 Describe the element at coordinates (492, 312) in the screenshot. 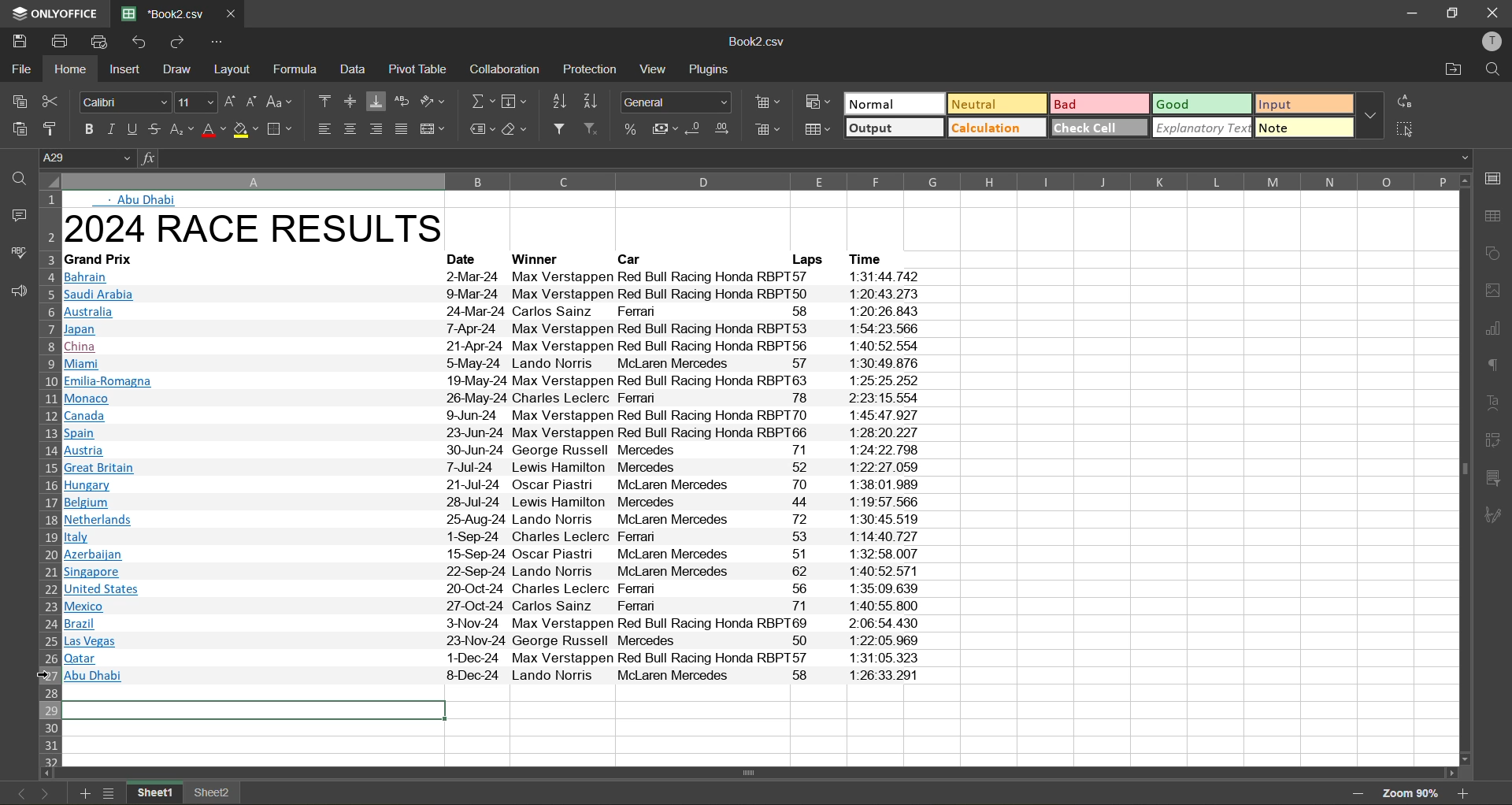

I see `text info` at that location.